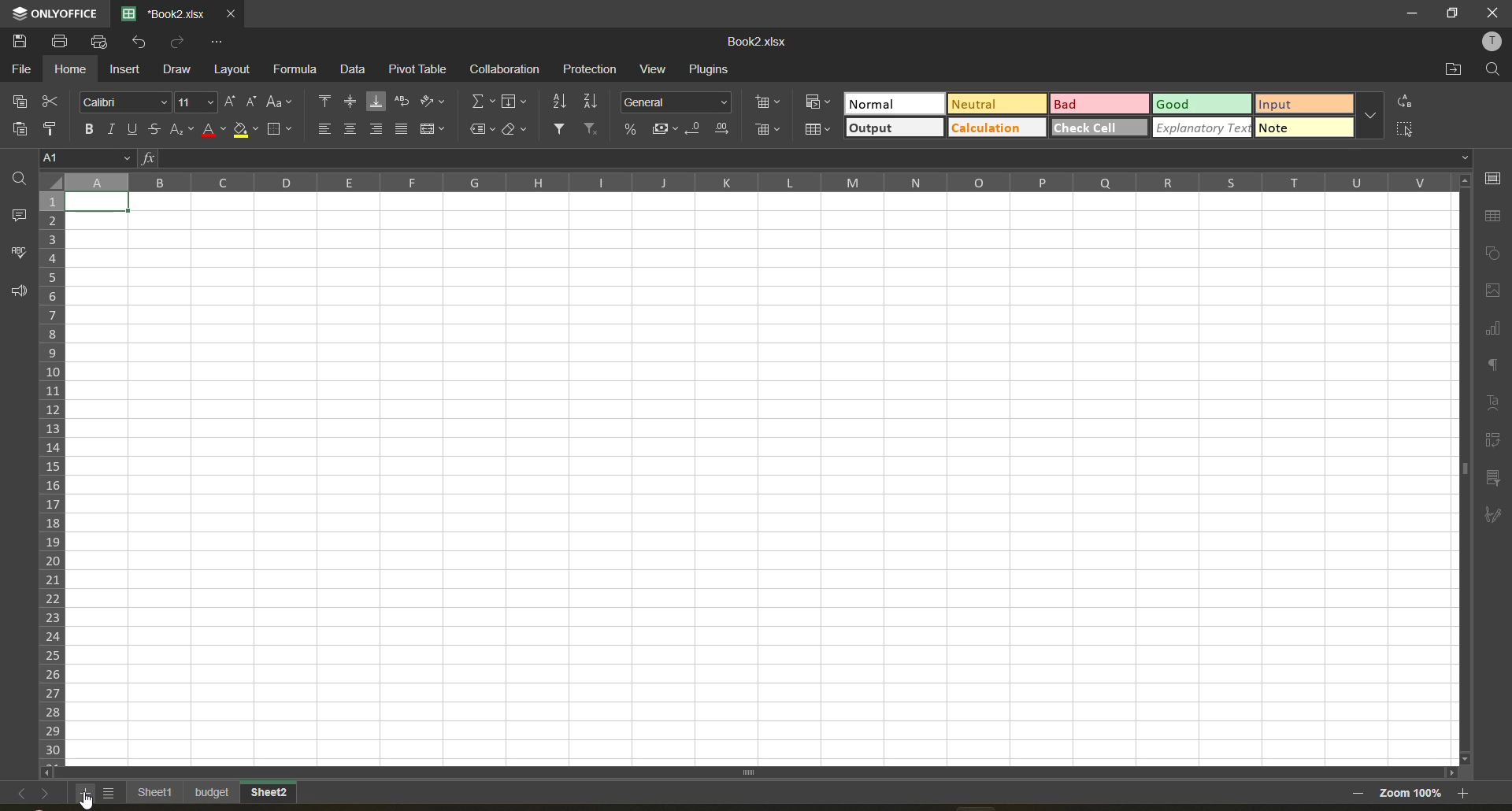  Describe the element at coordinates (50, 102) in the screenshot. I see `cut` at that location.